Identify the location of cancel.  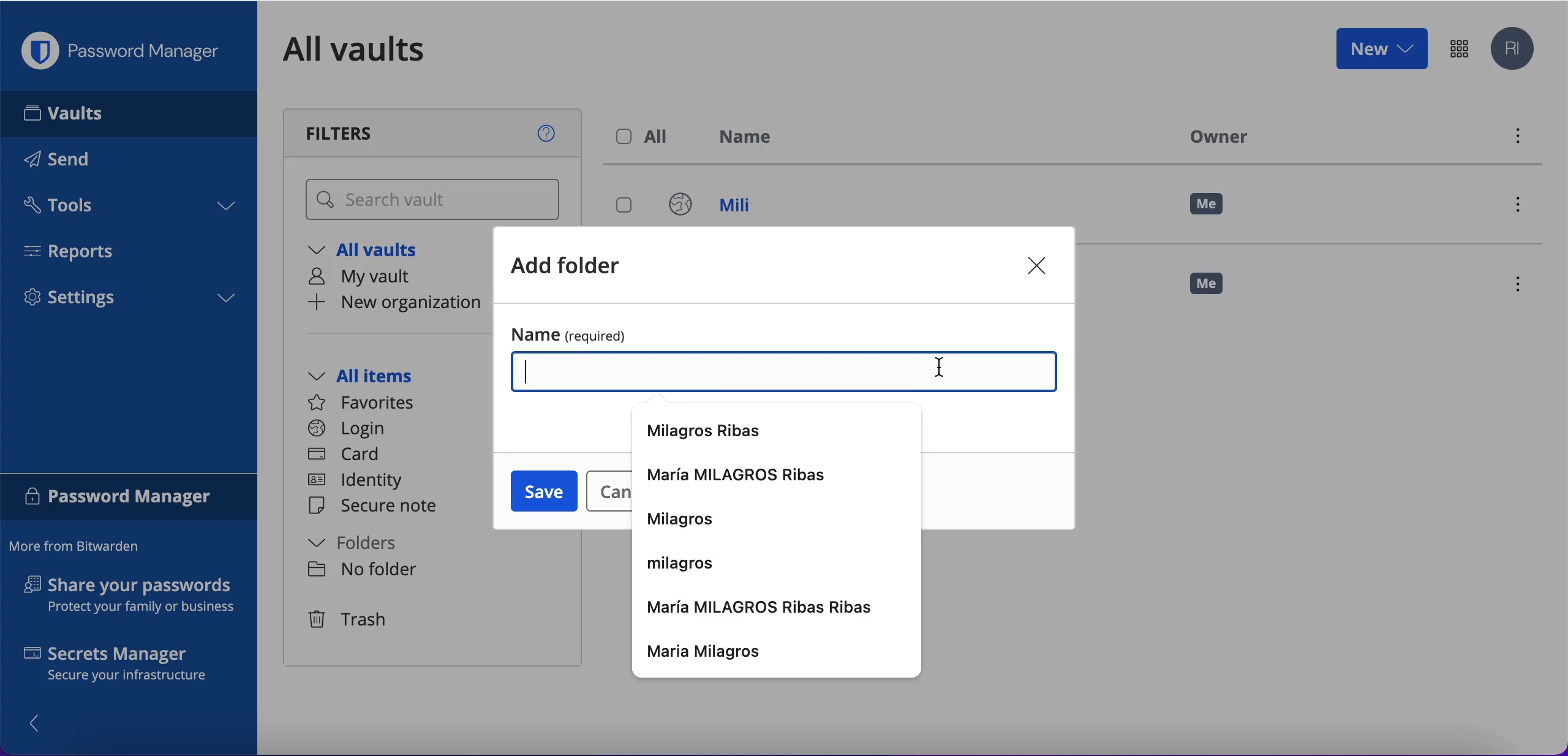
(606, 493).